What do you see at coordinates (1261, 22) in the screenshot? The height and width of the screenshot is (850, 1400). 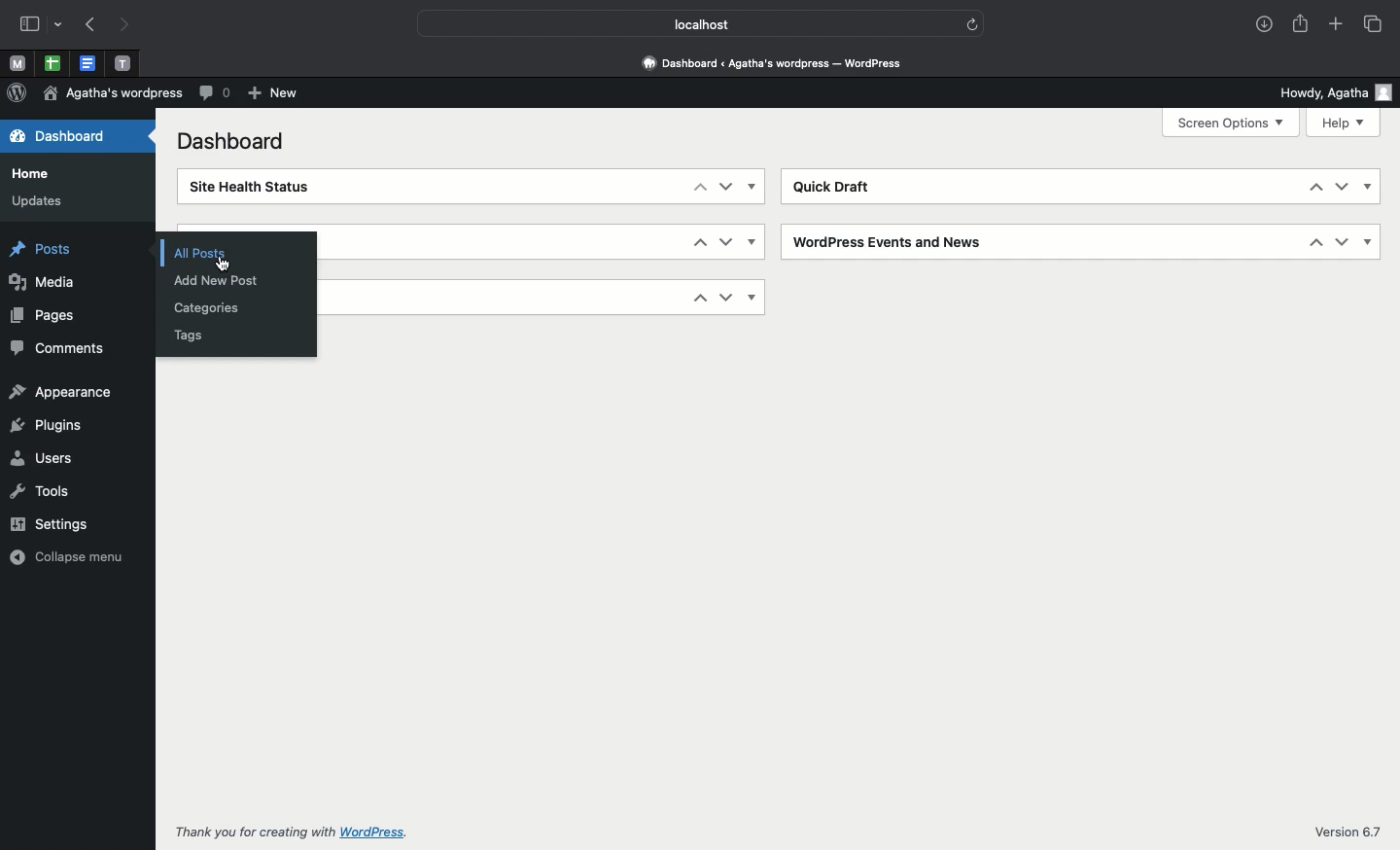 I see `Downloads` at bounding box center [1261, 22].